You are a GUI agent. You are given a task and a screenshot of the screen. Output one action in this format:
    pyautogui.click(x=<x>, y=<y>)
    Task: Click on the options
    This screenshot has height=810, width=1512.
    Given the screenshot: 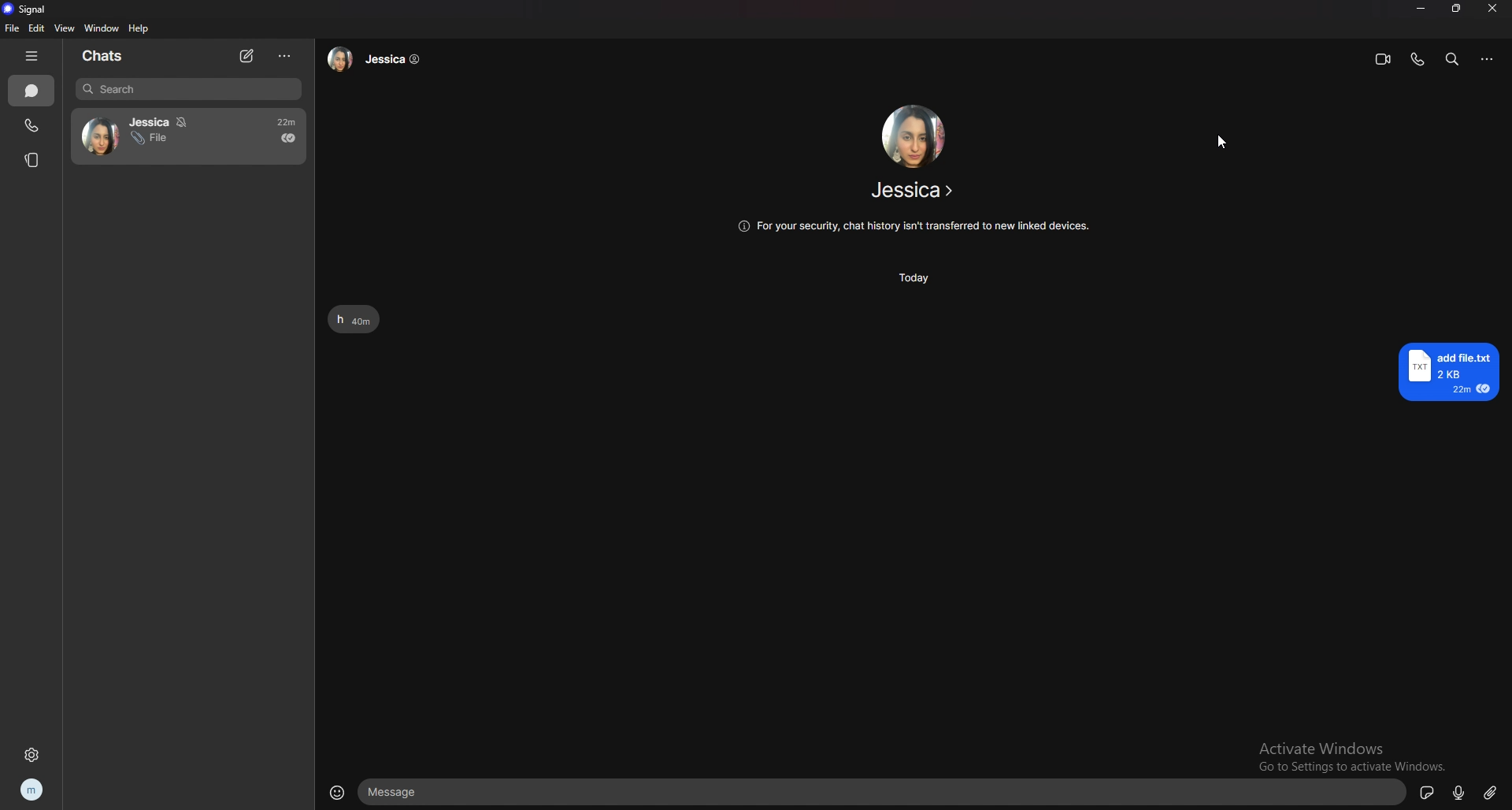 What is the action you would take?
    pyautogui.click(x=286, y=57)
    